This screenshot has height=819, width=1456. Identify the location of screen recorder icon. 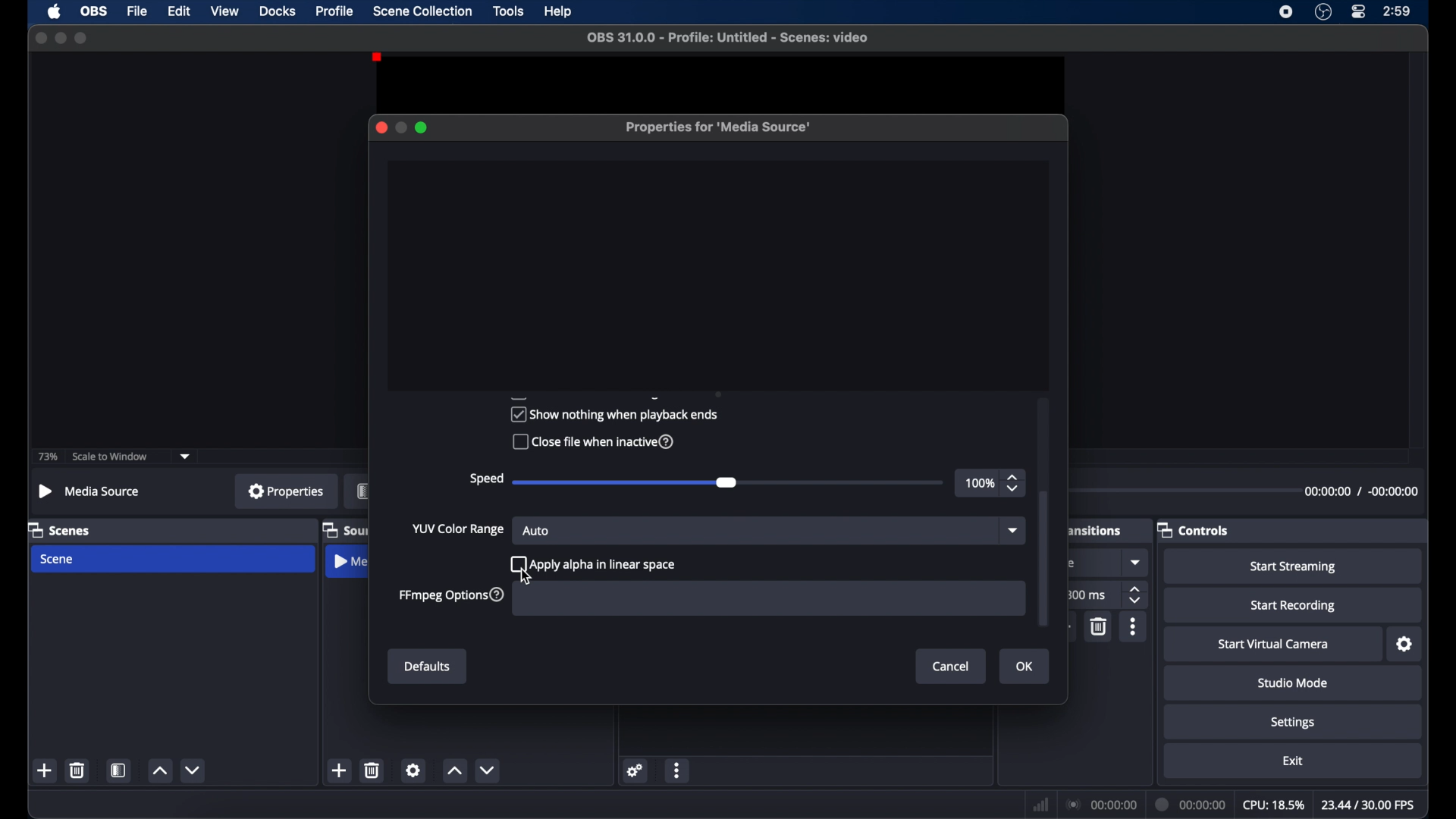
(1287, 12).